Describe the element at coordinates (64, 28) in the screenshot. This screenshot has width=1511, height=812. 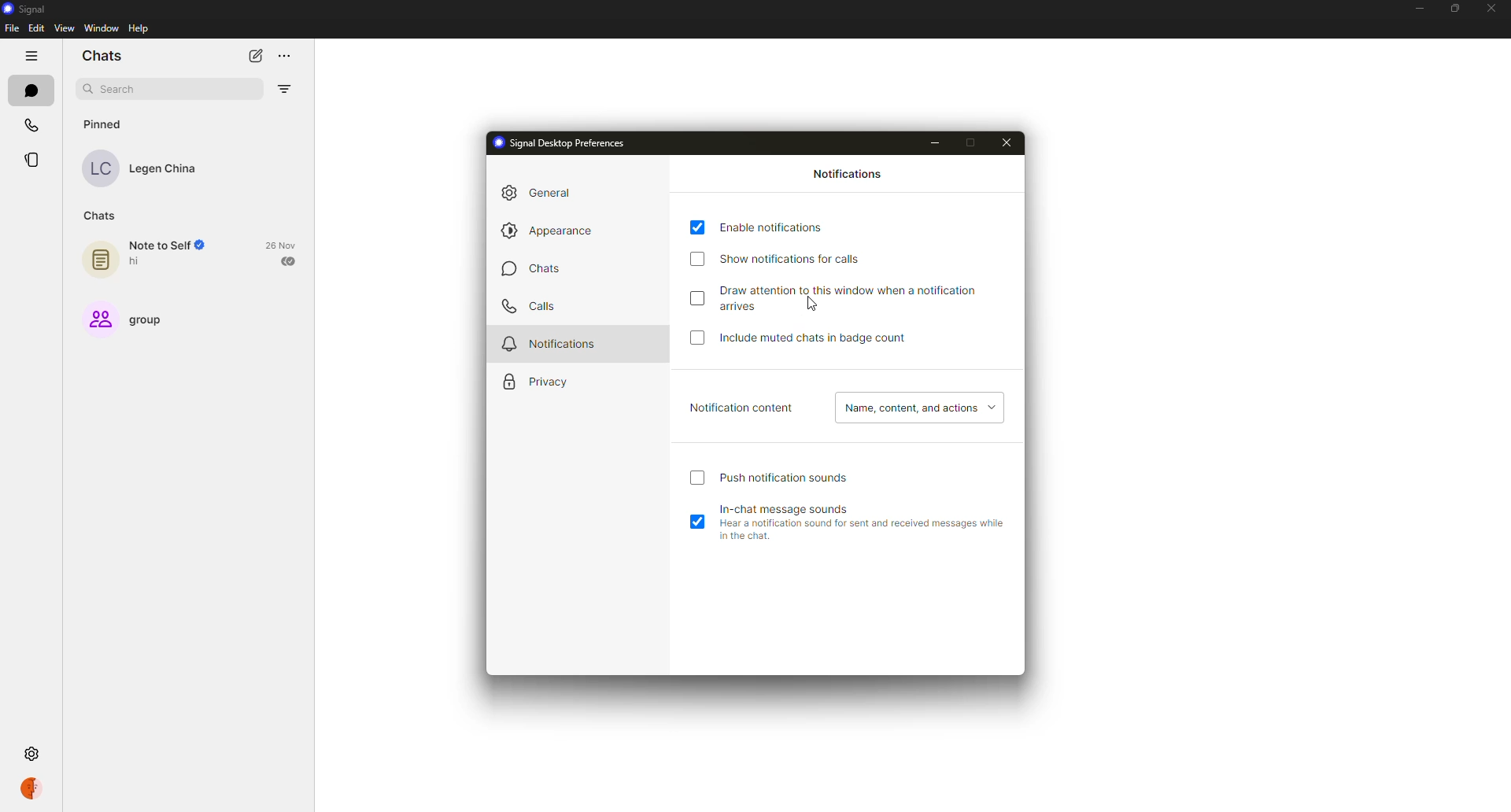
I see `view` at that location.